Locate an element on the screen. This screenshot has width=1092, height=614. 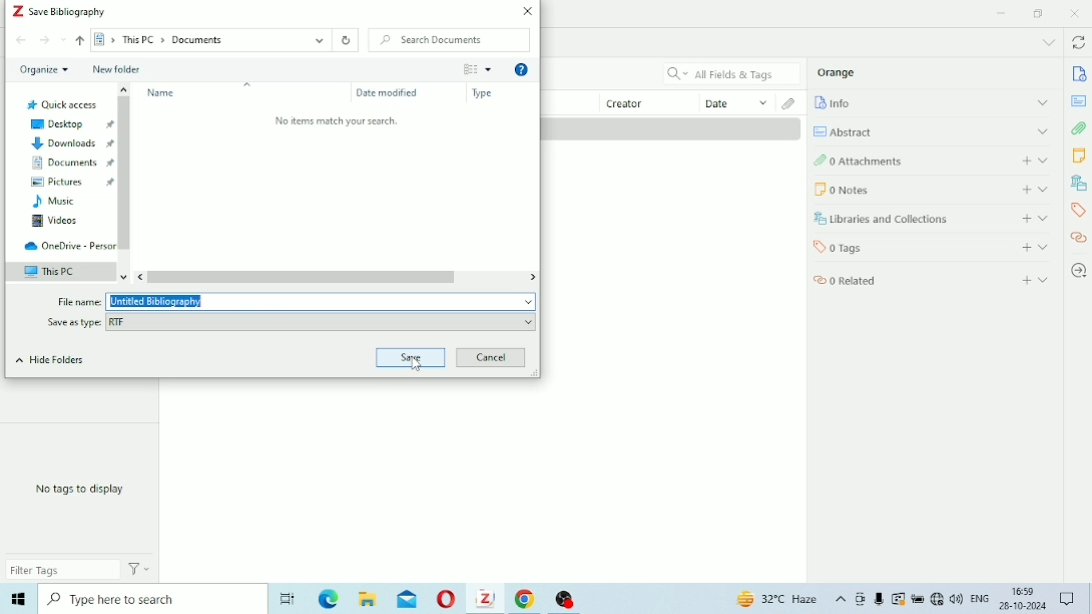
New folder is located at coordinates (117, 70).